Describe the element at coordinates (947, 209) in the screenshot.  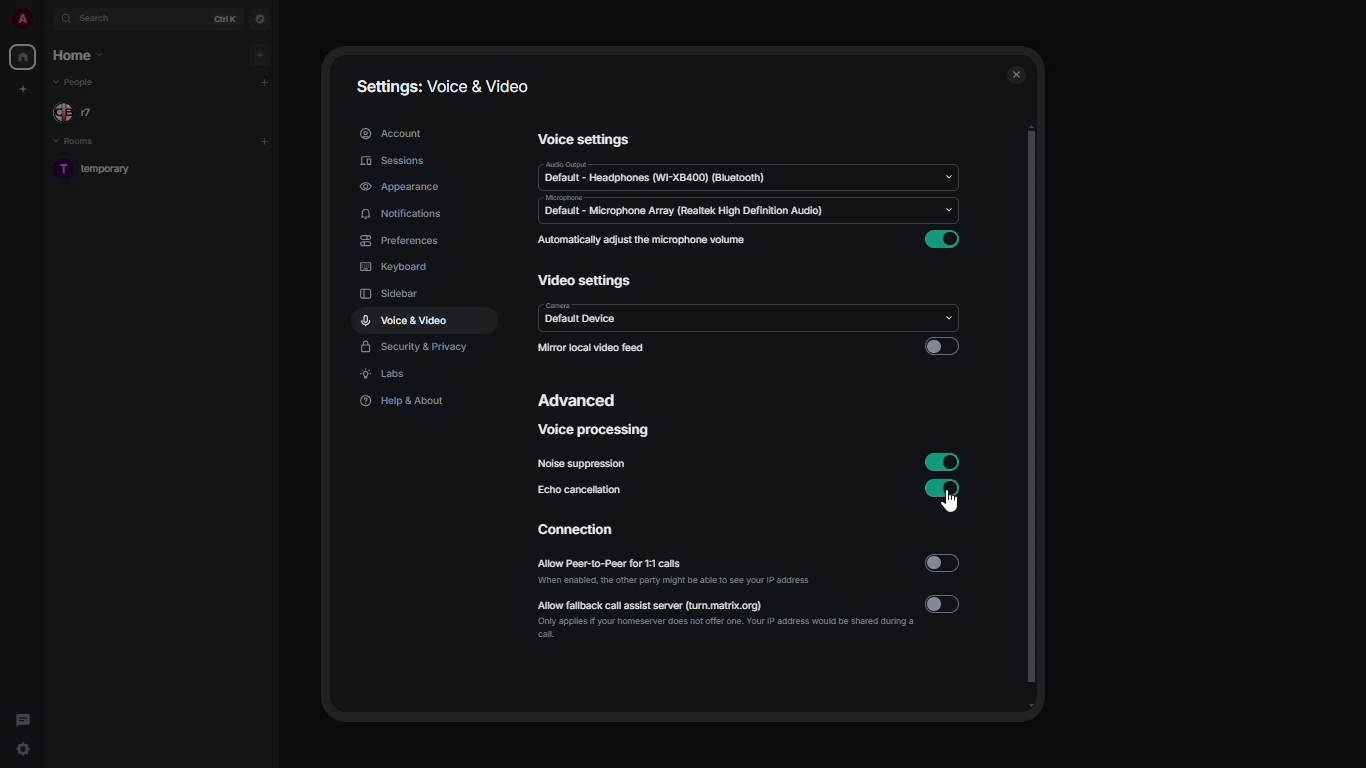
I see `drop down` at that location.